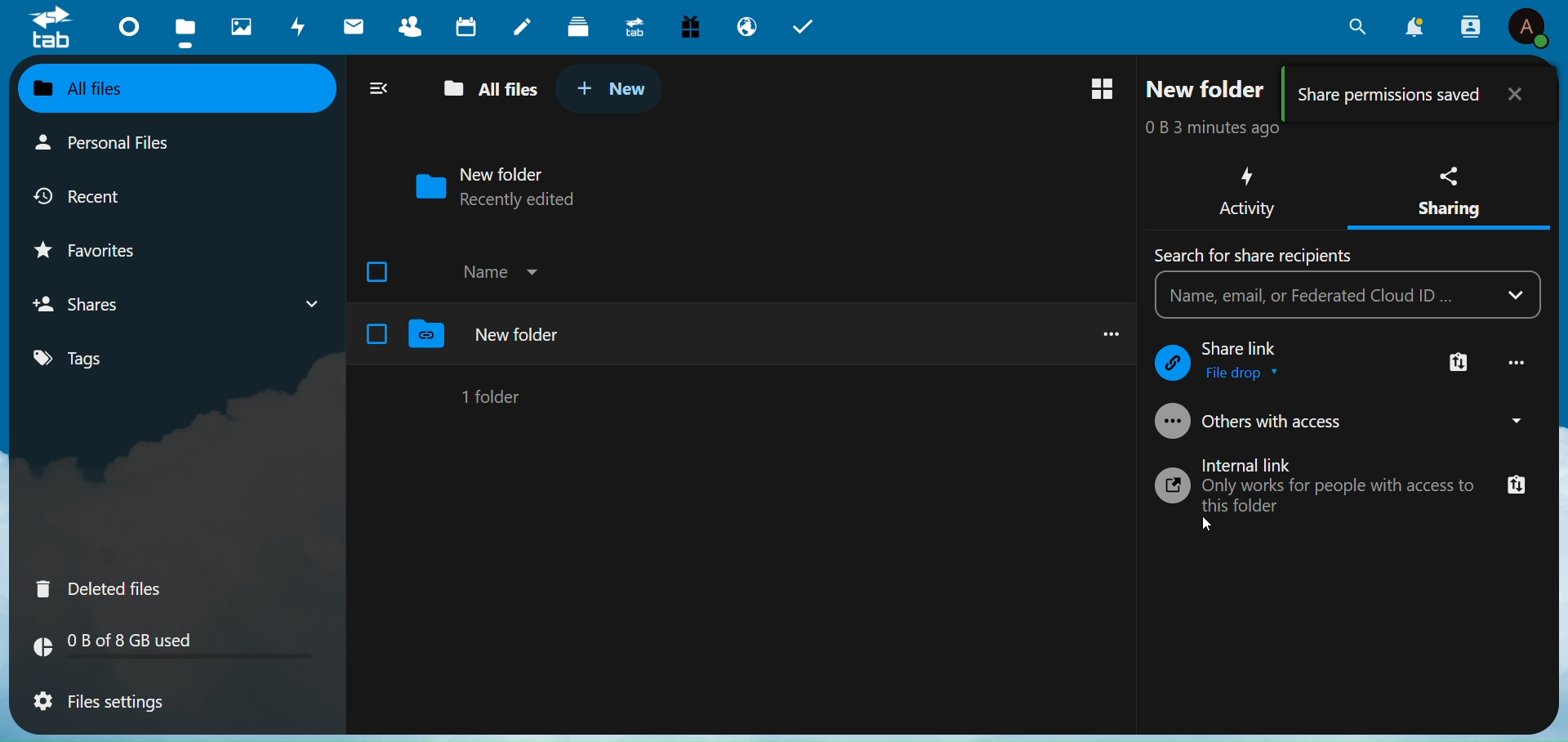  Describe the element at coordinates (1459, 364) in the screenshot. I see `More Link Option` at that location.